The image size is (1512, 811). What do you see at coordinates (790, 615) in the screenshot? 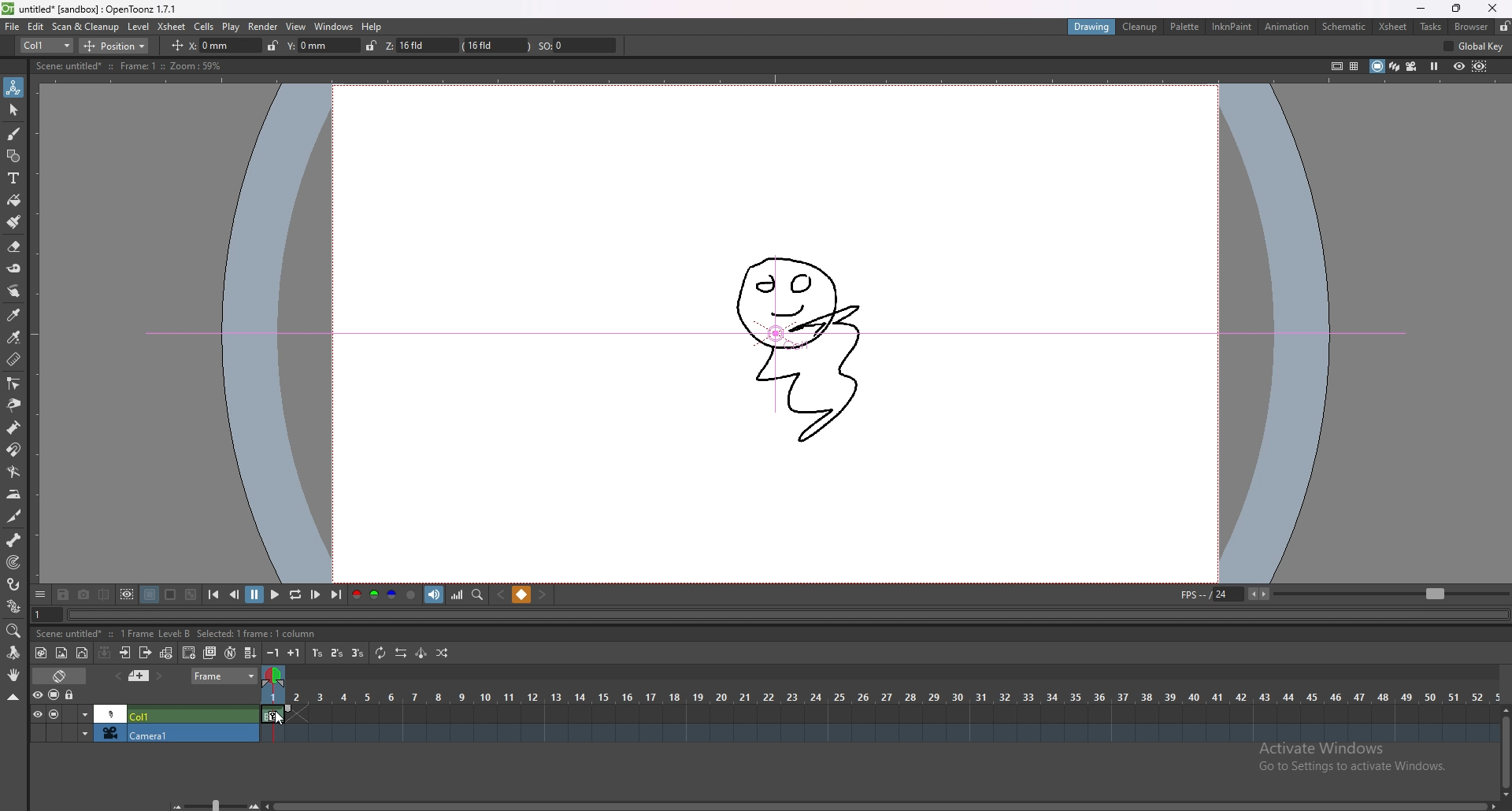
I see `animation player` at bounding box center [790, 615].